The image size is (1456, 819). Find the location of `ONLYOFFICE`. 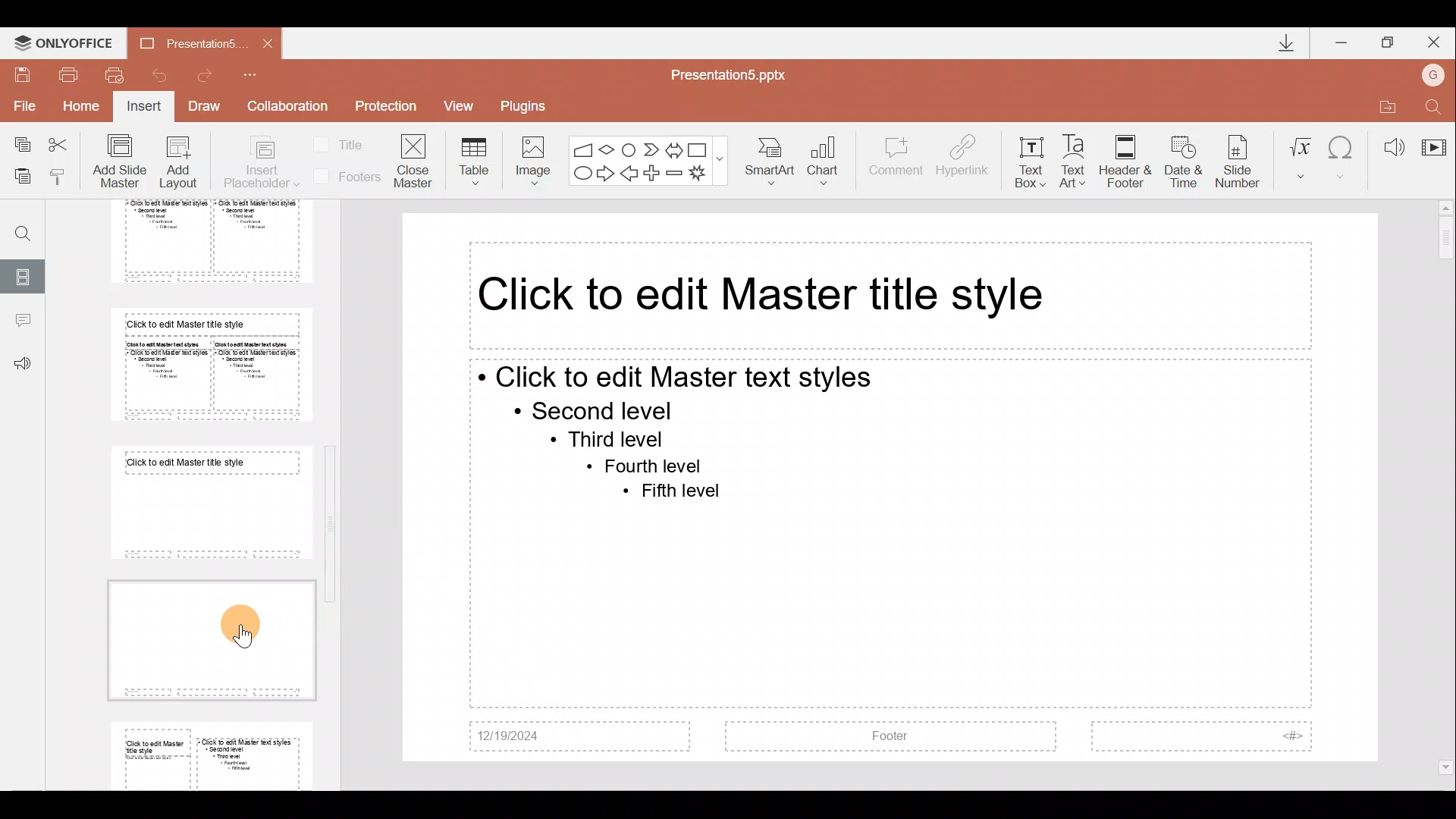

ONLYOFFICE is located at coordinates (63, 39).